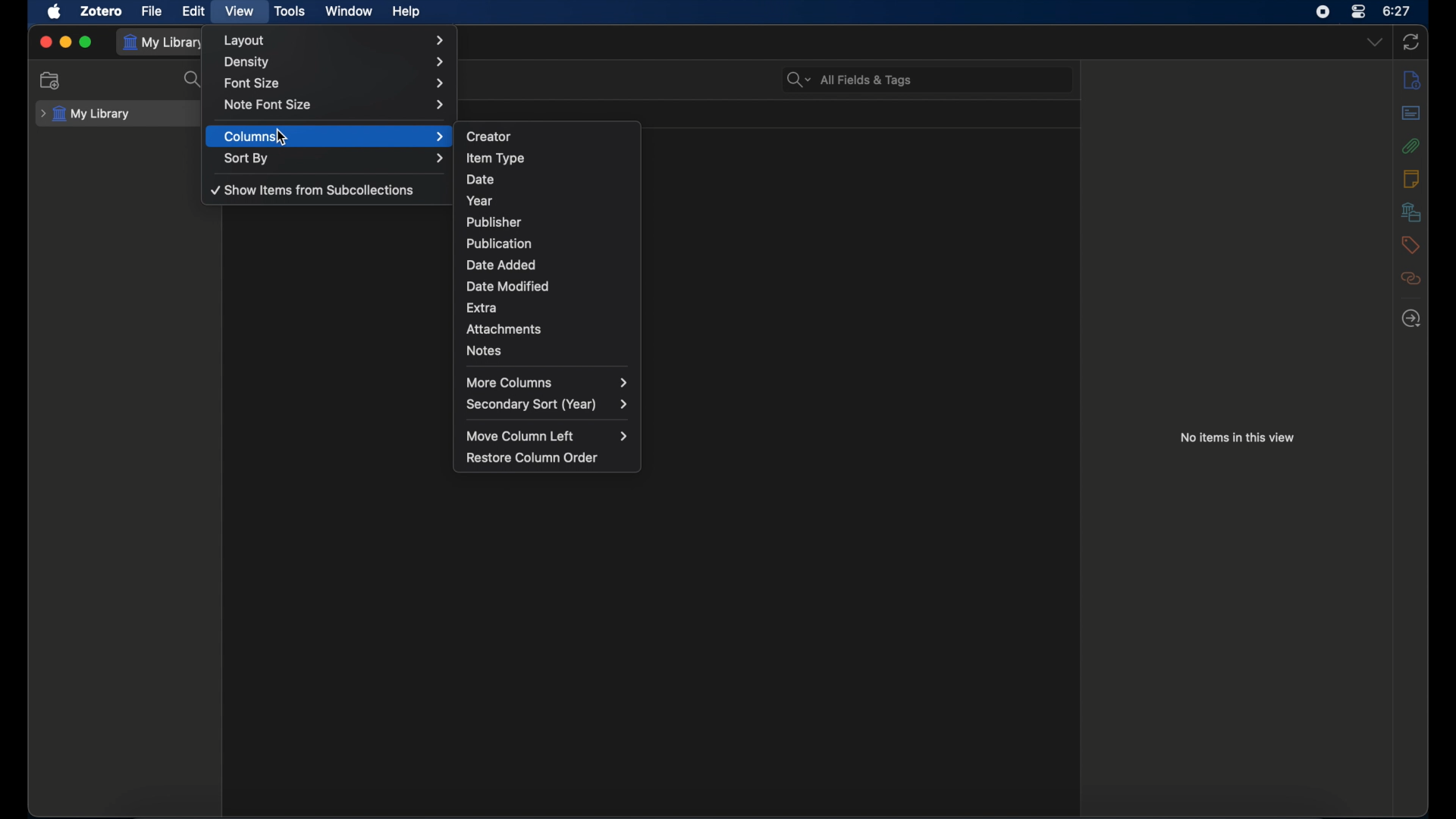 The width and height of the screenshot is (1456, 819). What do you see at coordinates (1410, 245) in the screenshot?
I see `tags` at bounding box center [1410, 245].